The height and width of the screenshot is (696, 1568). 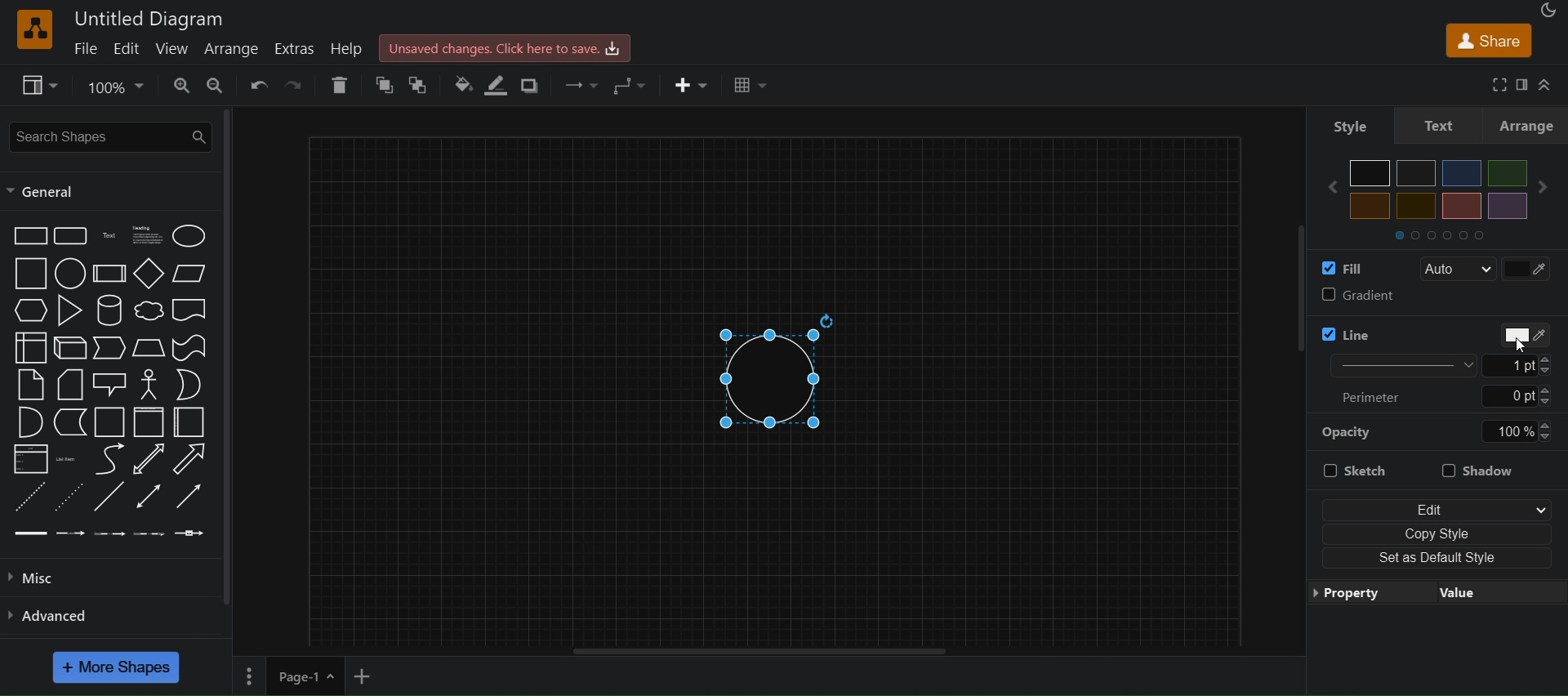 I want to click on cursor, so click(x=1520, y=347).